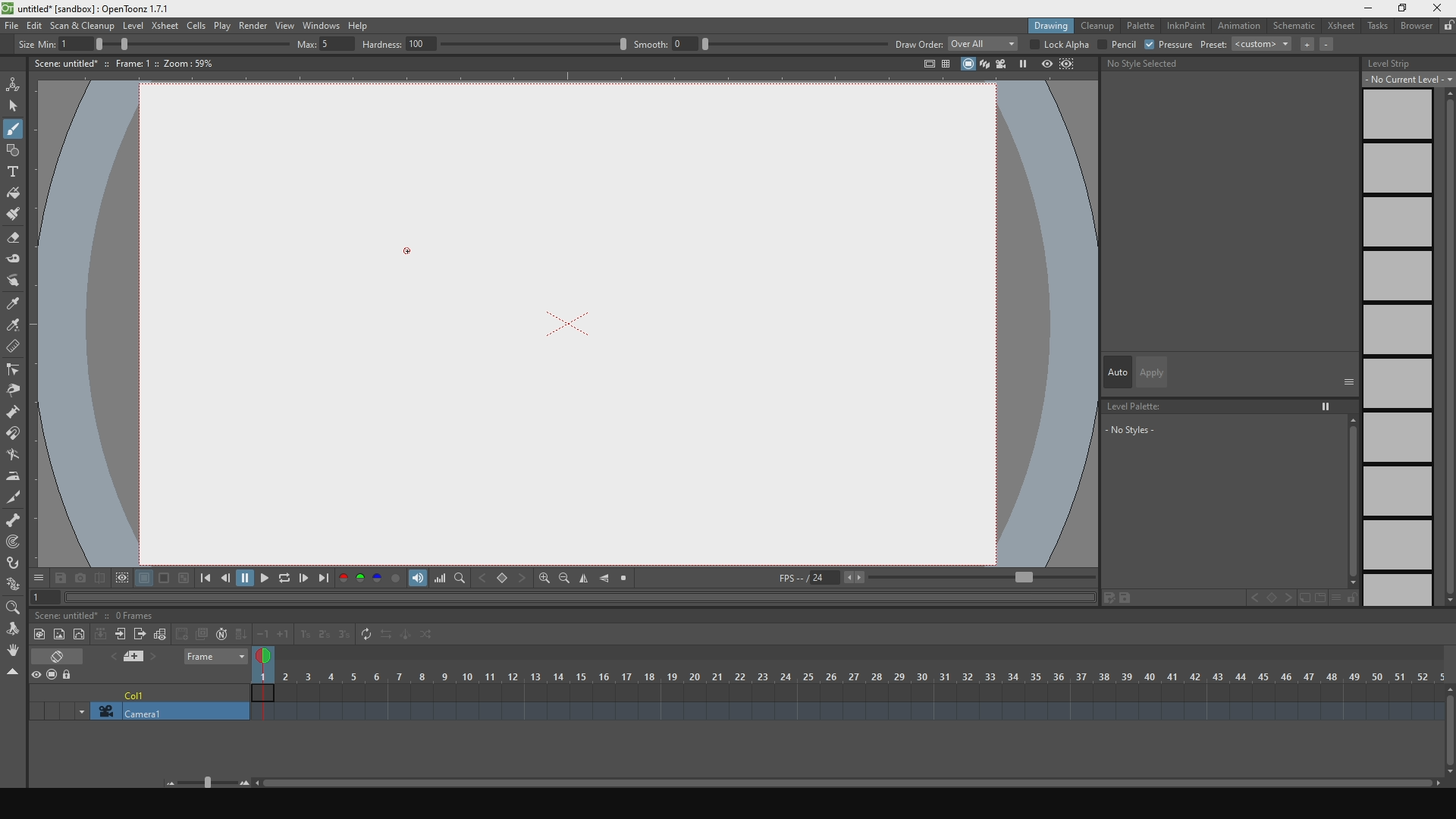 The image size is (1456, 819). I want to click on level strip, so click(1405, 62).